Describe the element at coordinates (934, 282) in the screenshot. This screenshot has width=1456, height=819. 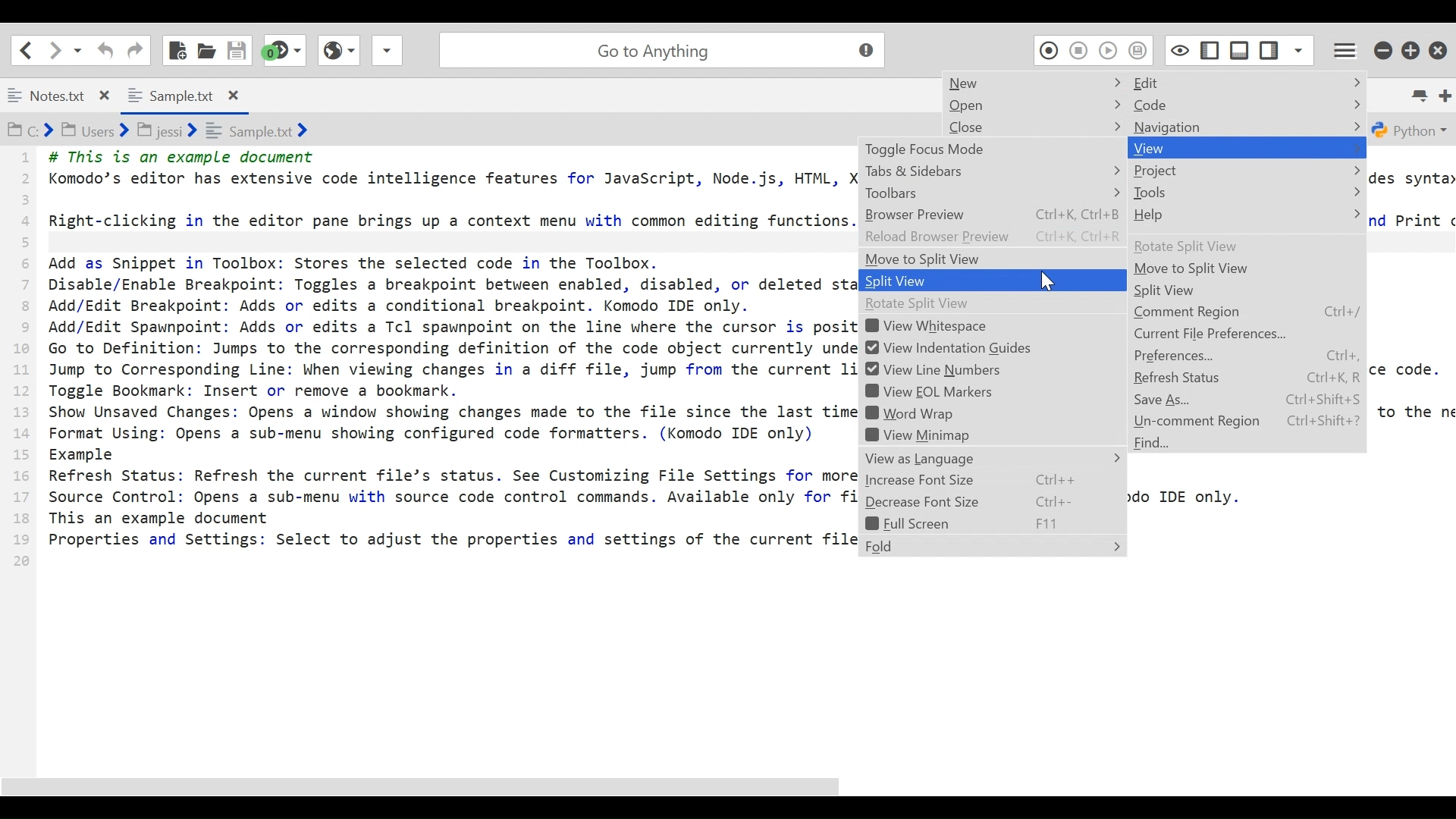
I see `Split View` at that location.